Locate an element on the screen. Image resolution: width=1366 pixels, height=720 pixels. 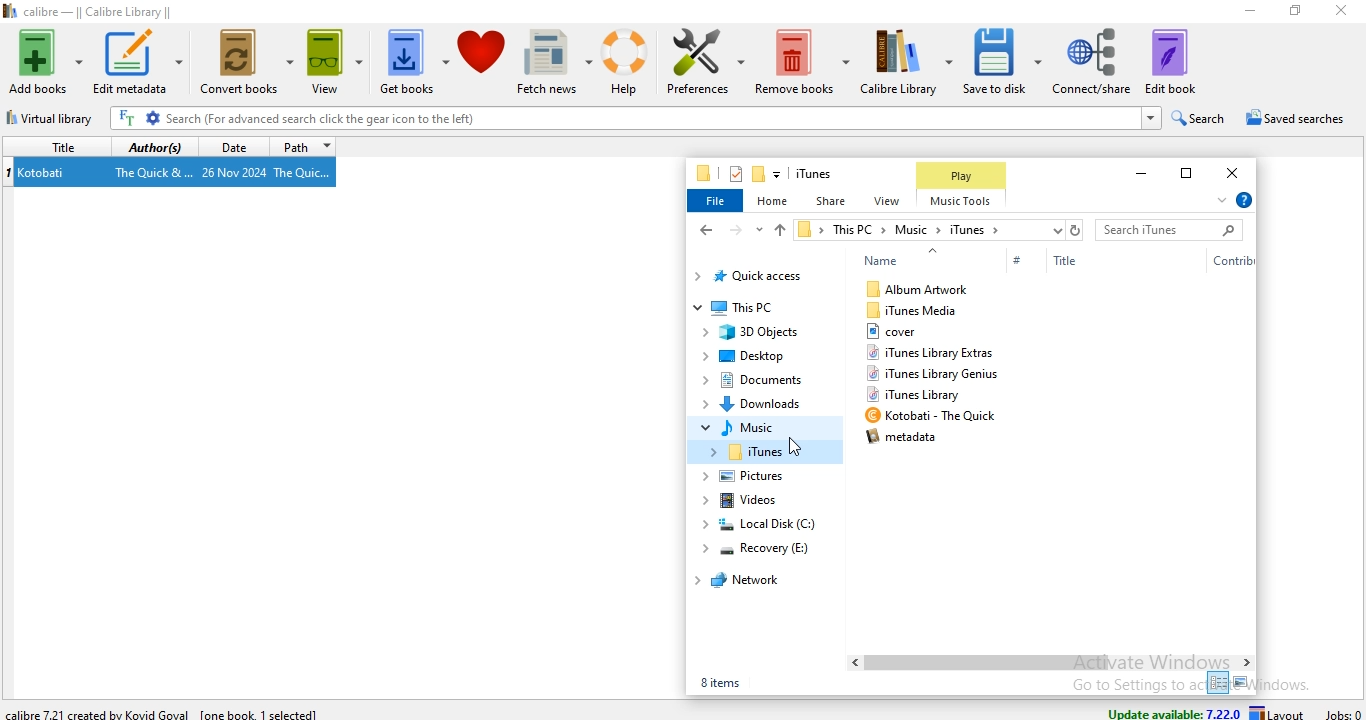
fetch news is located at coordinates (554, 60).